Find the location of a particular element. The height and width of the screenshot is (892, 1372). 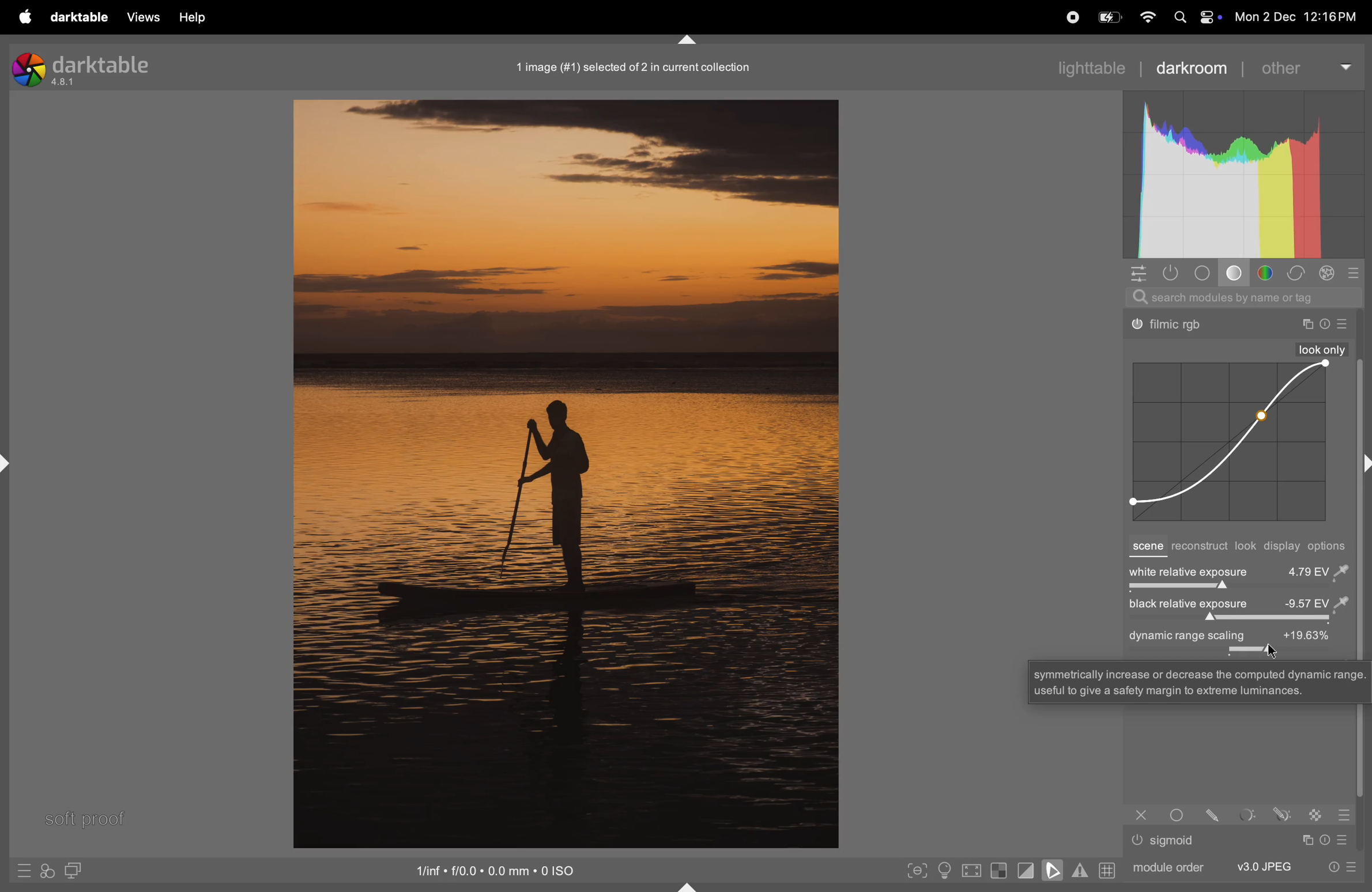

other is located at coordinates (1304, 66).